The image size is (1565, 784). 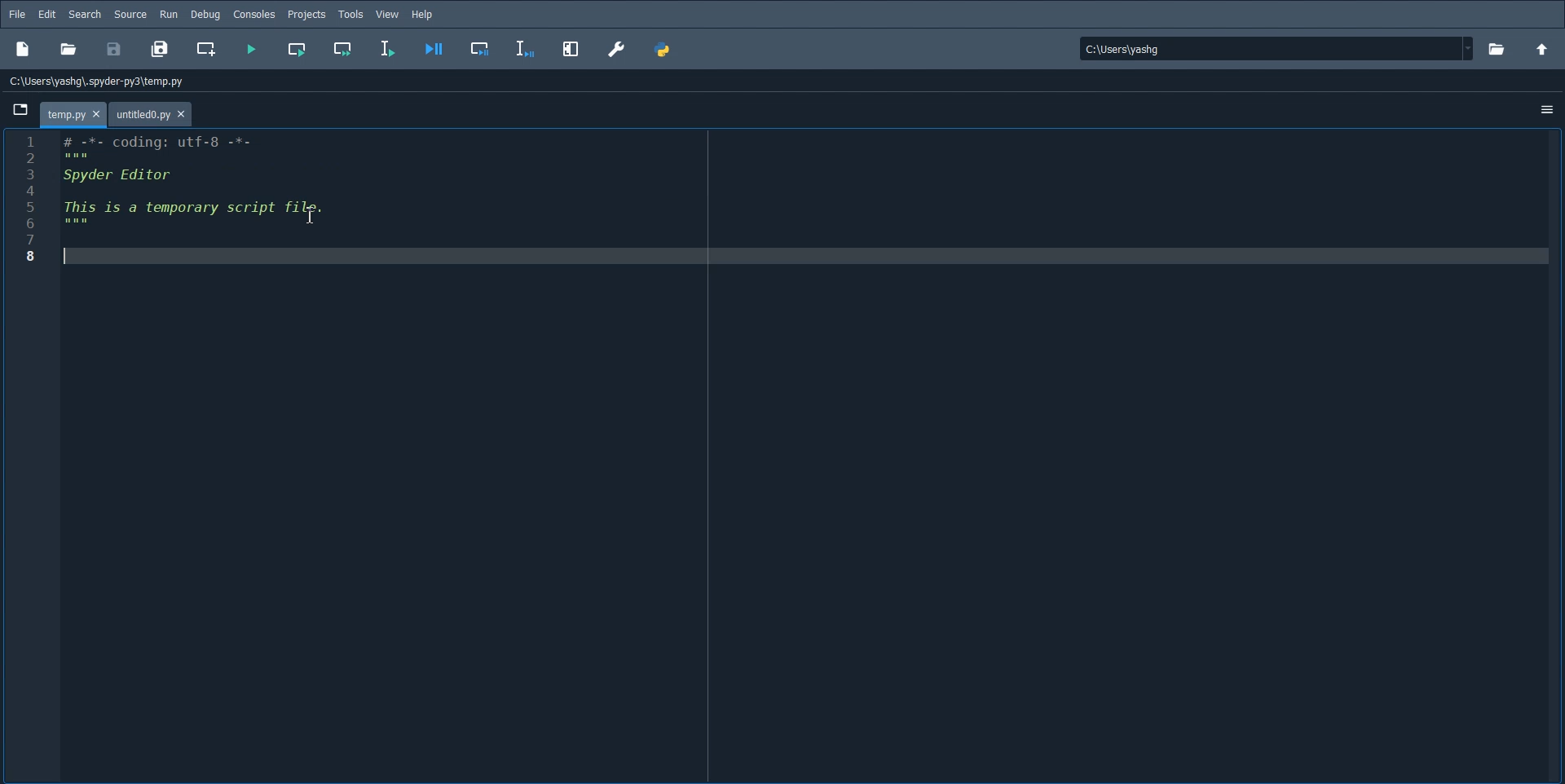 What do you see at coordinates (250, 51) in the screenshot?
I see `Run file` at bounding box center [250, 51].